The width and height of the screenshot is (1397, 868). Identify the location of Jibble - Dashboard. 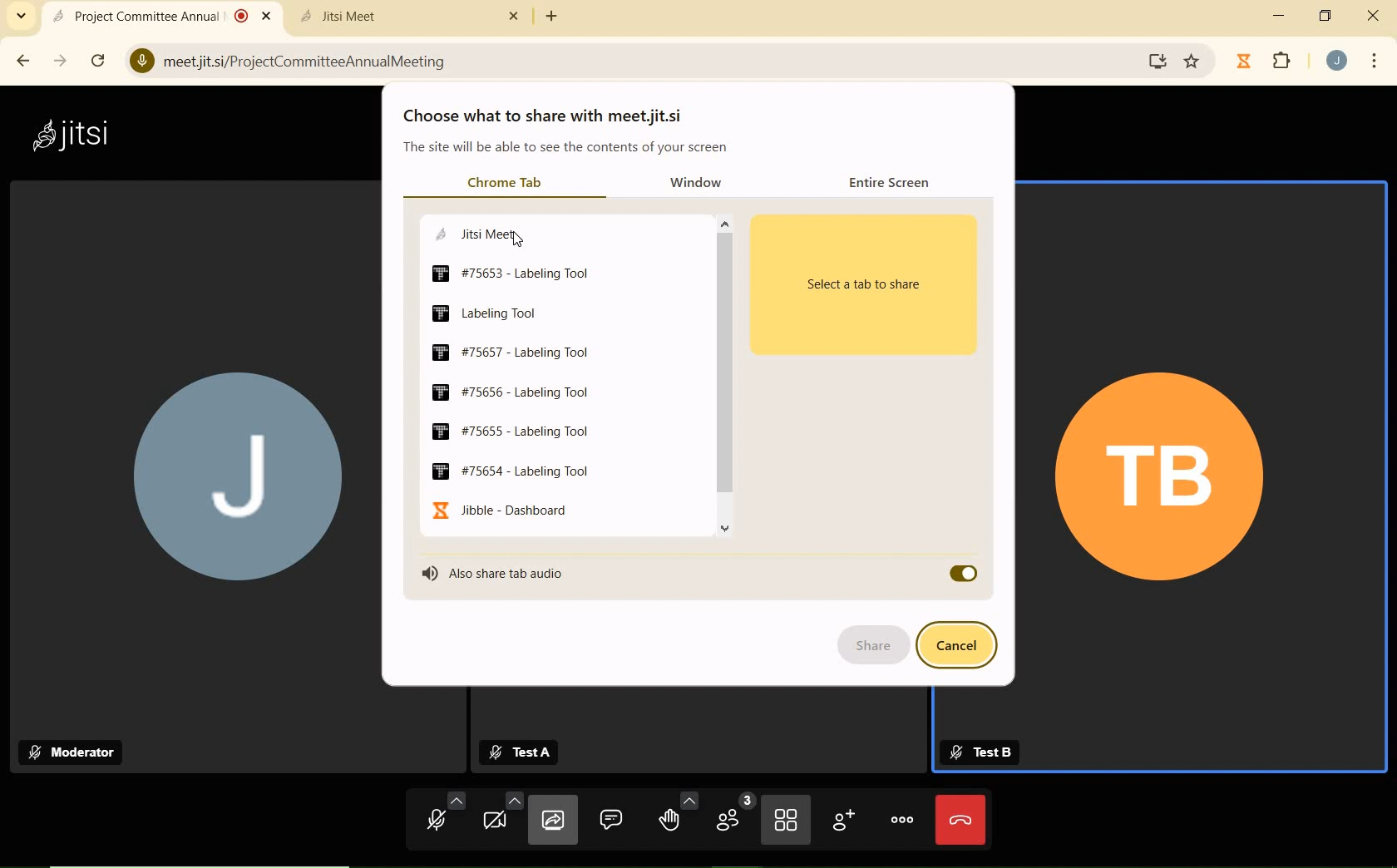
(507, 510).